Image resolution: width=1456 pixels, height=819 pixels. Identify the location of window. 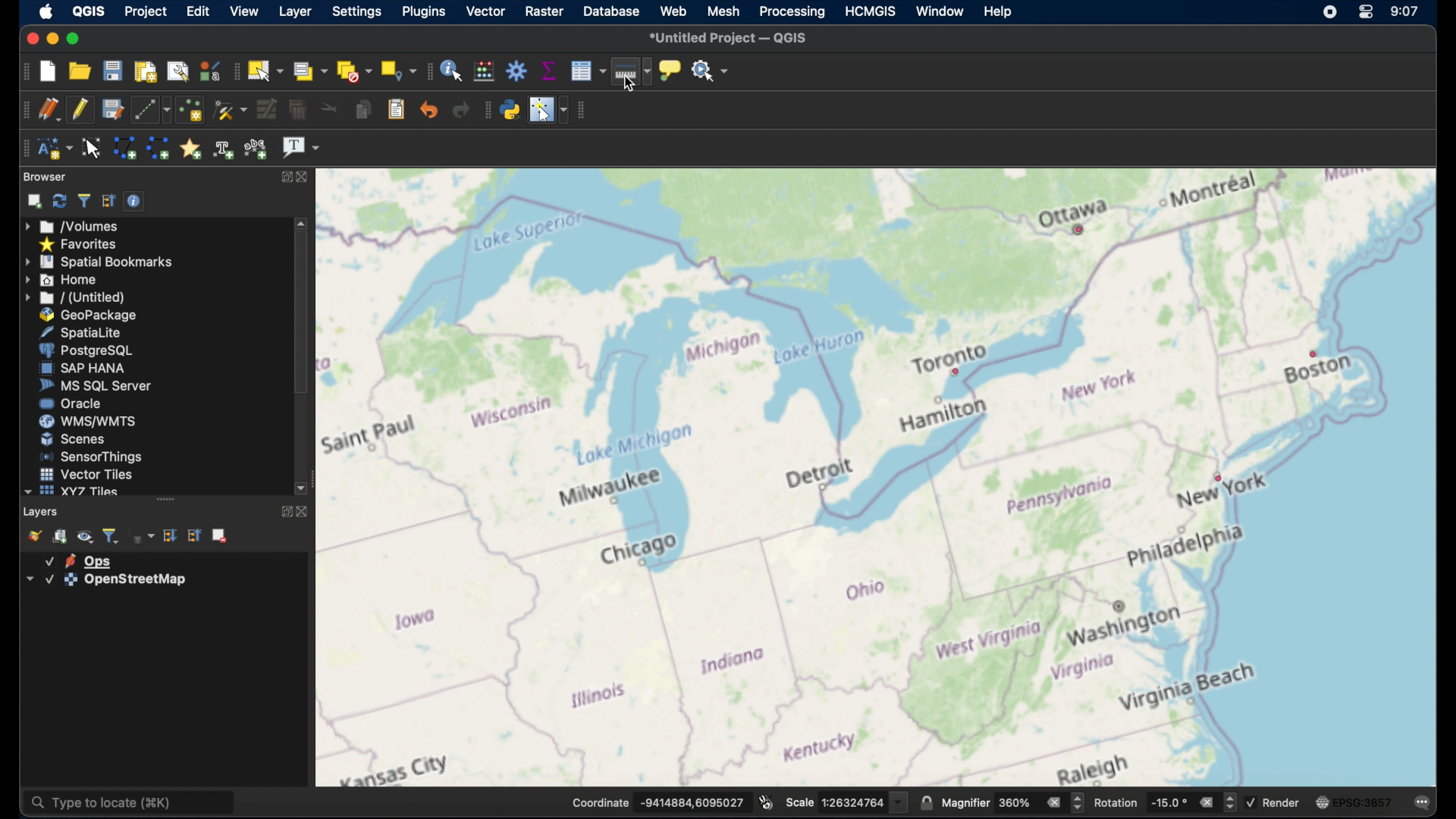
(941, 10).